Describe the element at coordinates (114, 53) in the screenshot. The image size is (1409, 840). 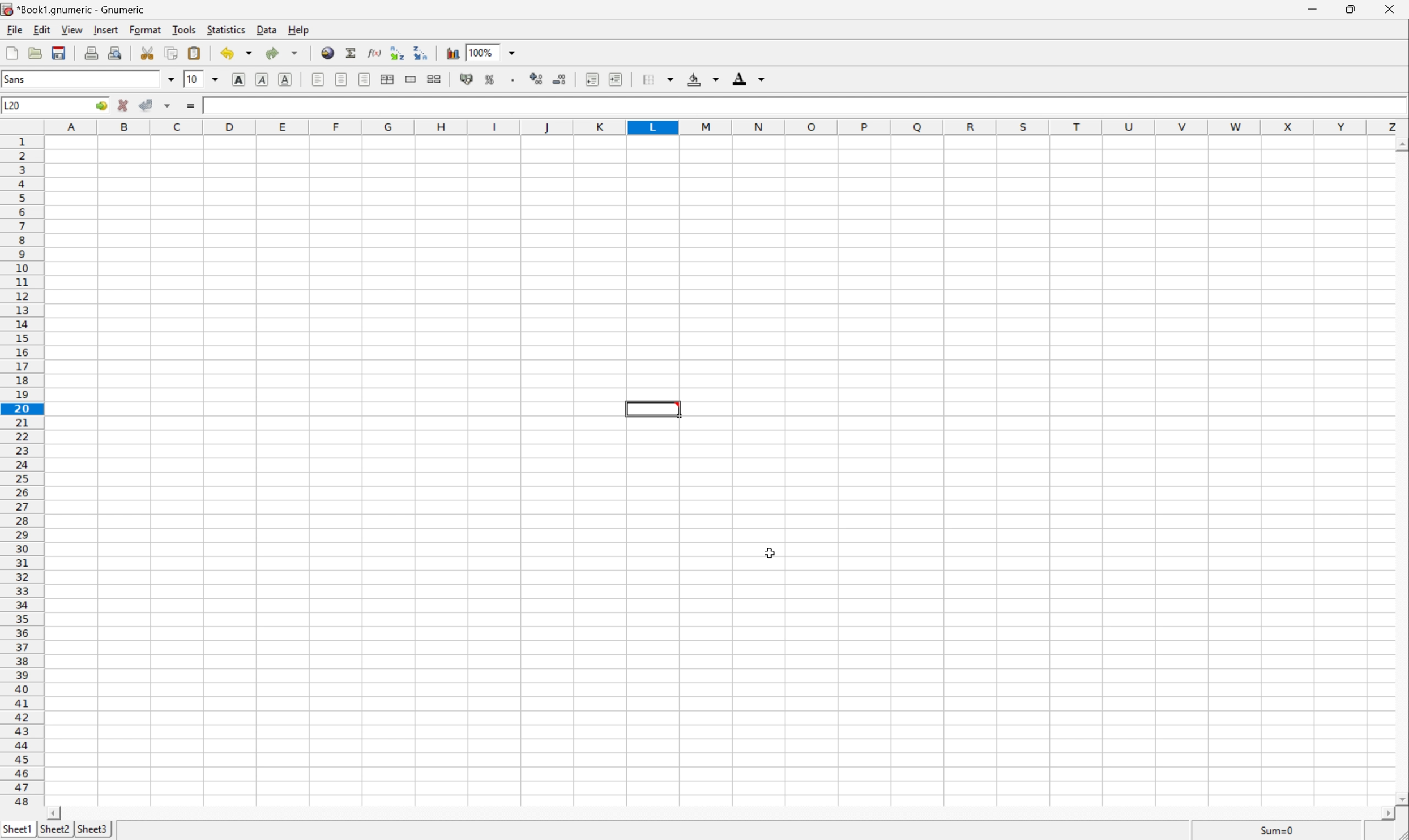
I see `Print preview` at that location.